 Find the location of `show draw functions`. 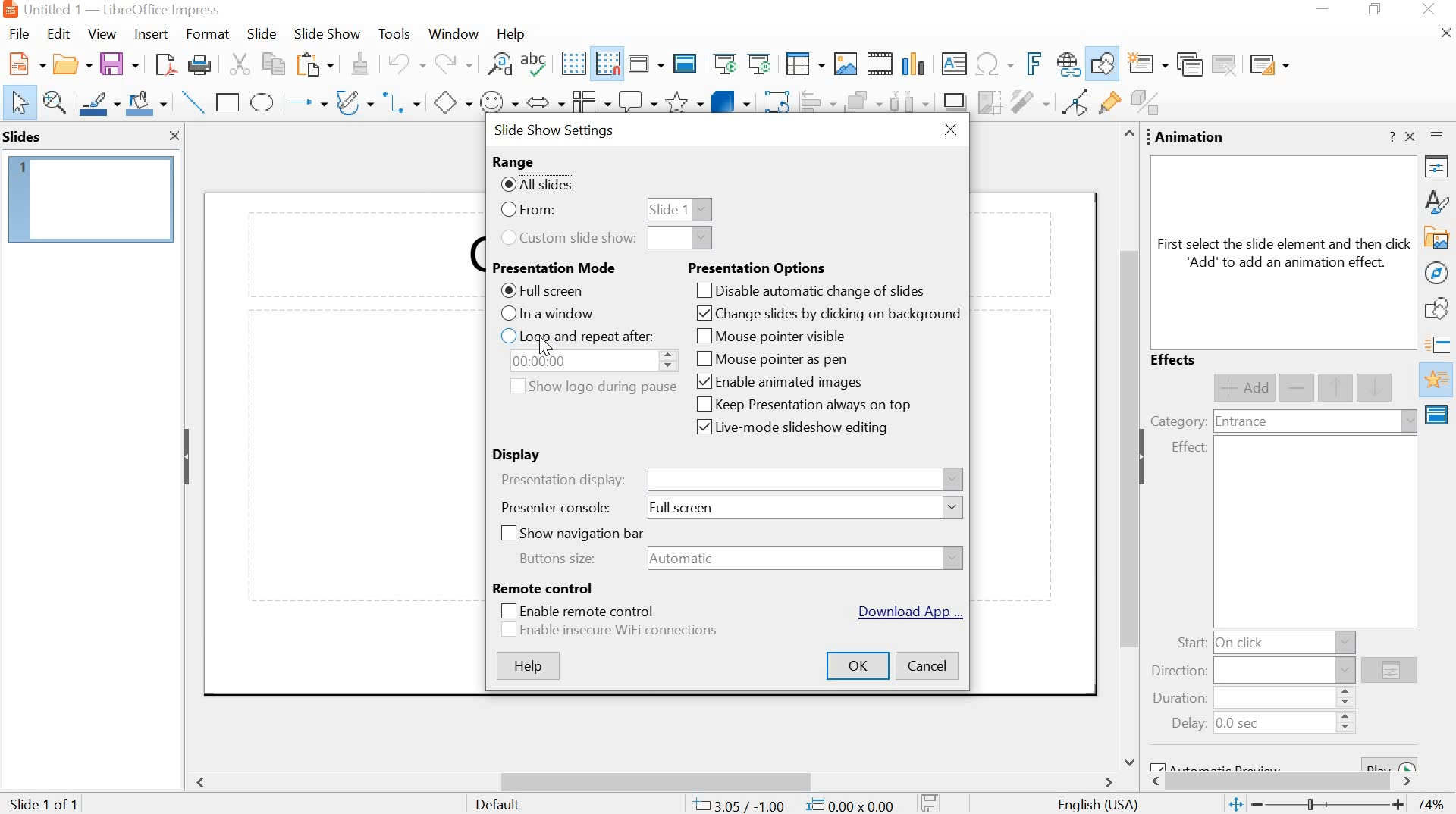

show draw functions is located at coordinates (1103, 64).